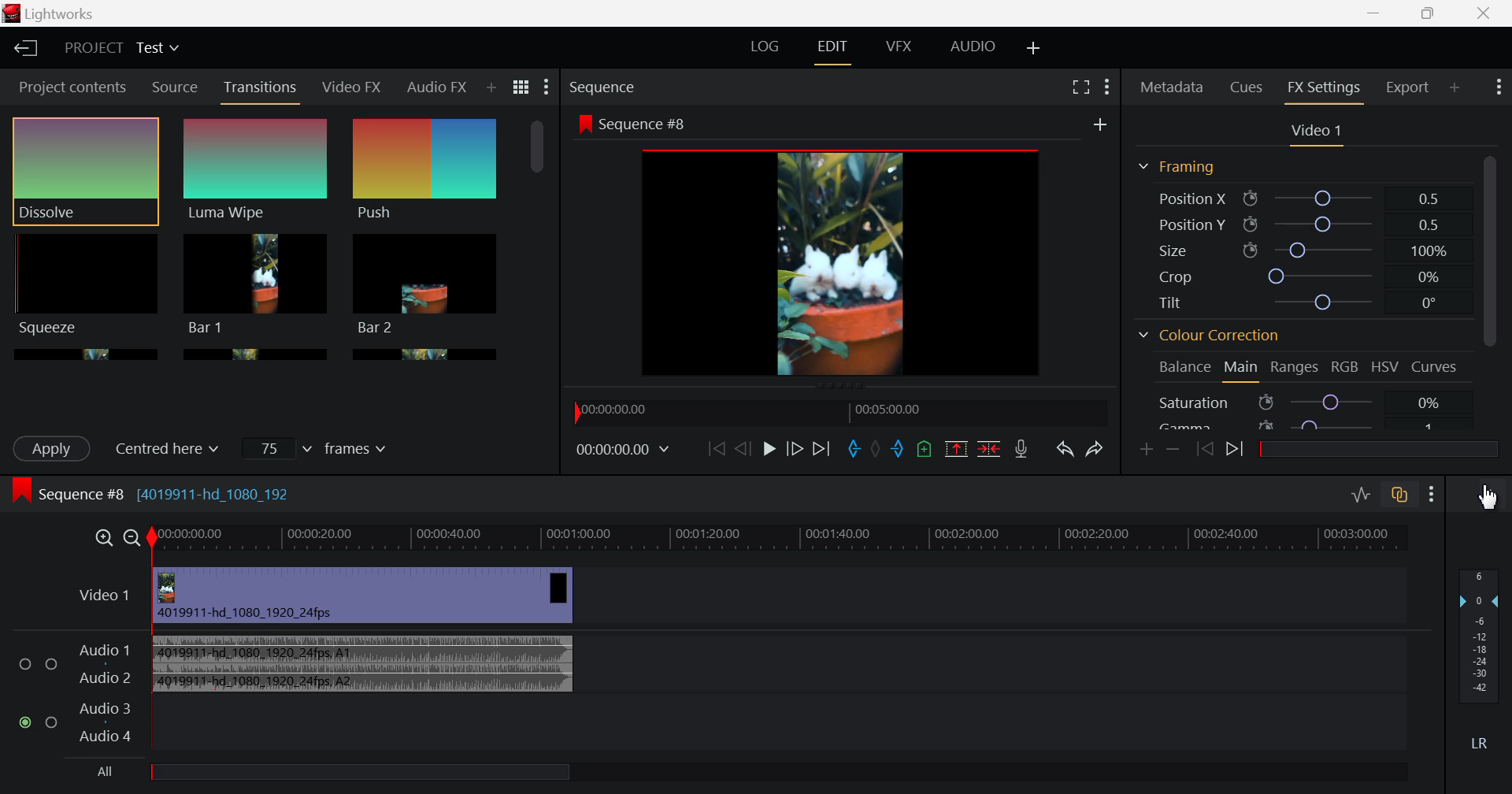  I want to click on Add keyframe, so click(1143, 451).